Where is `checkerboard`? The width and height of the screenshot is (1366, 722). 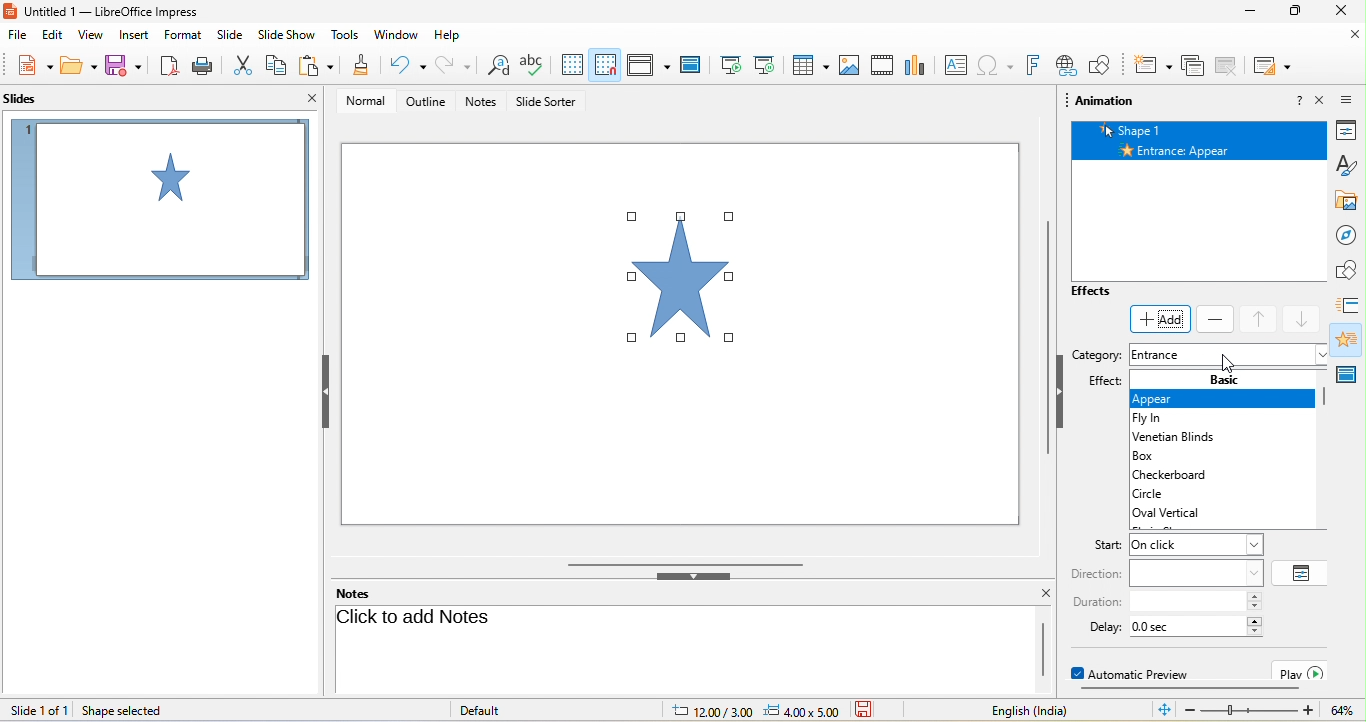
checkerboard is located at coordinates (1179, 474).